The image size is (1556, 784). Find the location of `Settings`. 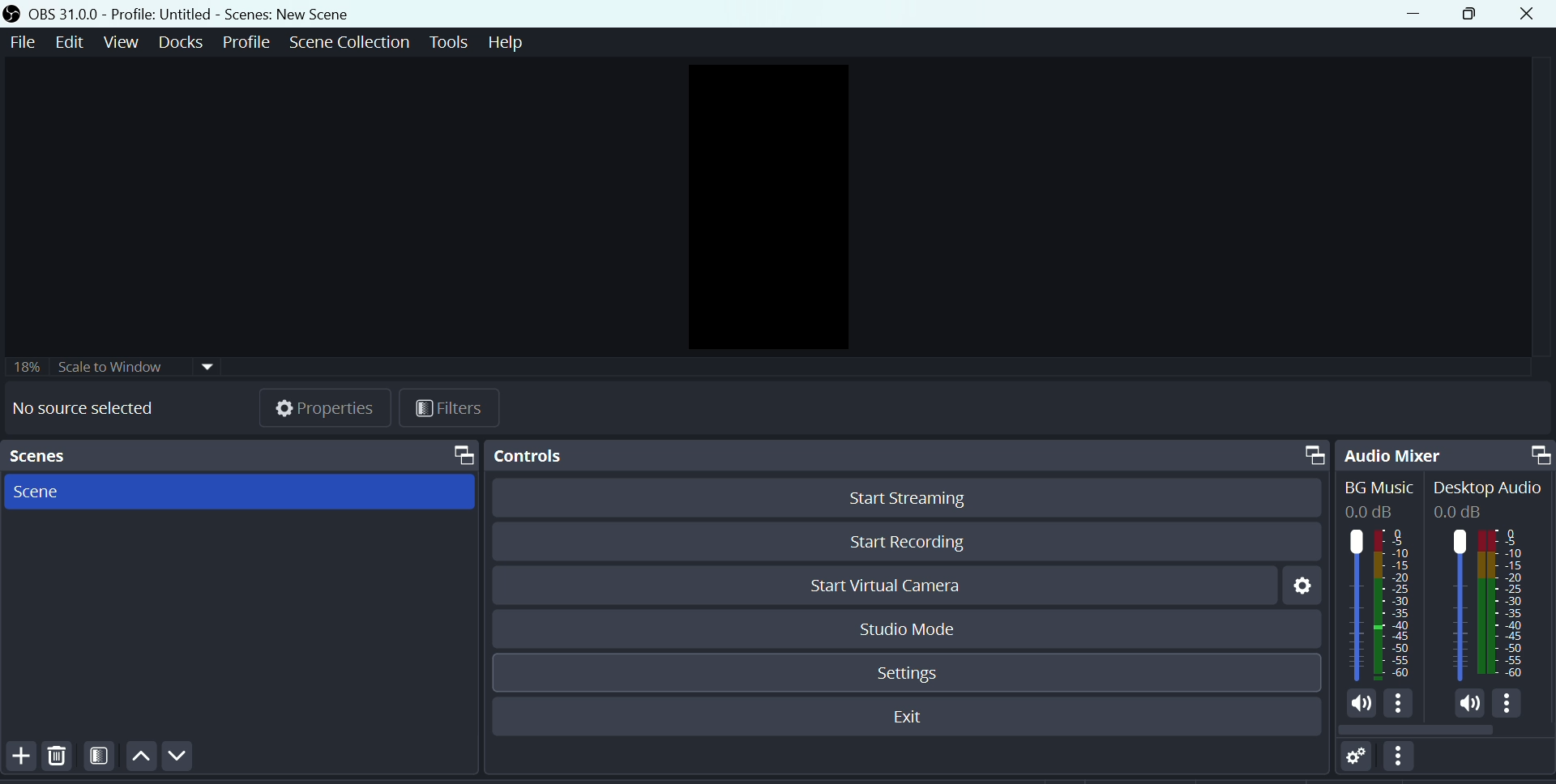

Settings is located at coordinates (907, 674).